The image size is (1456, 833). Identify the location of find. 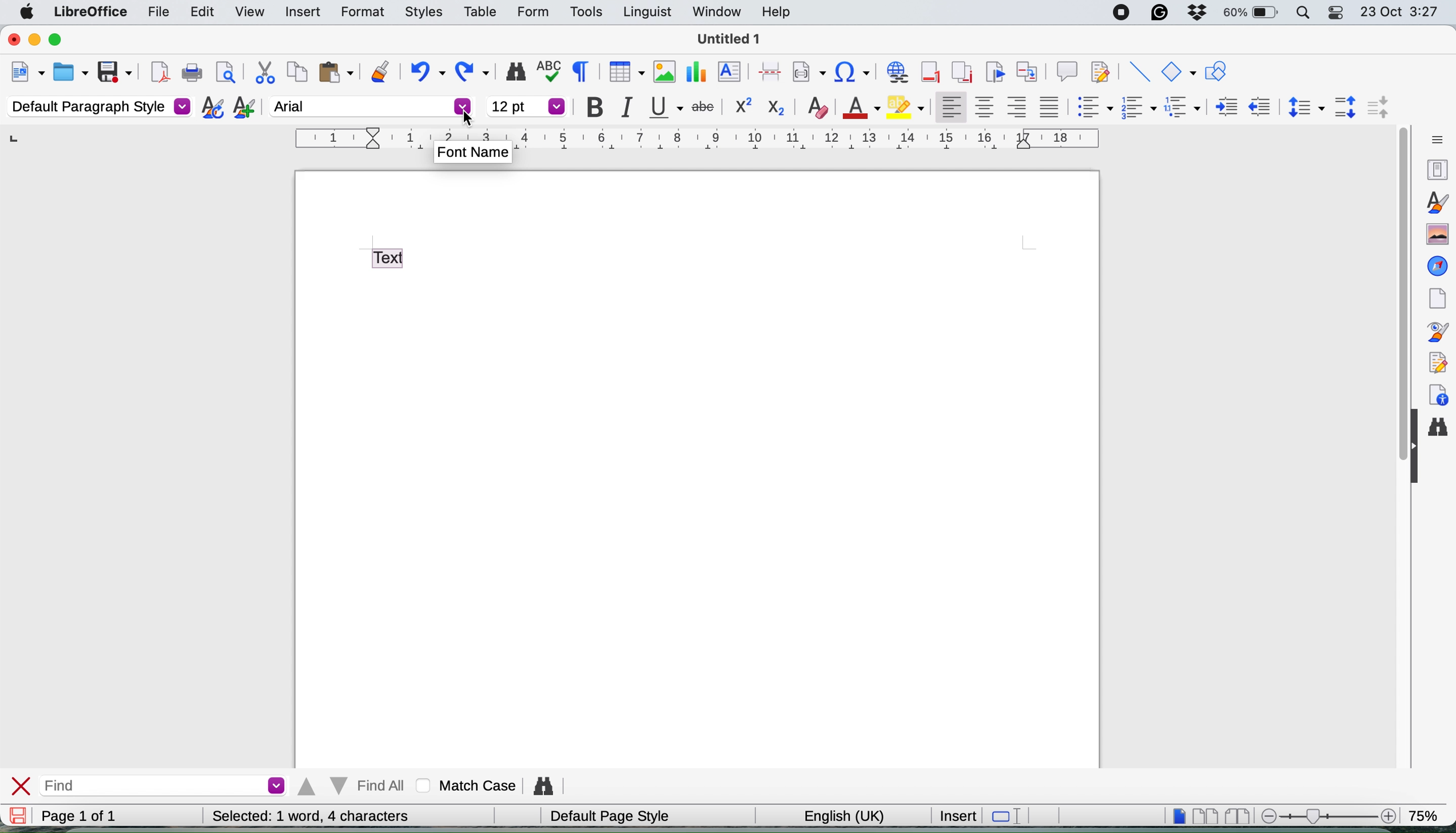
(162, 784).